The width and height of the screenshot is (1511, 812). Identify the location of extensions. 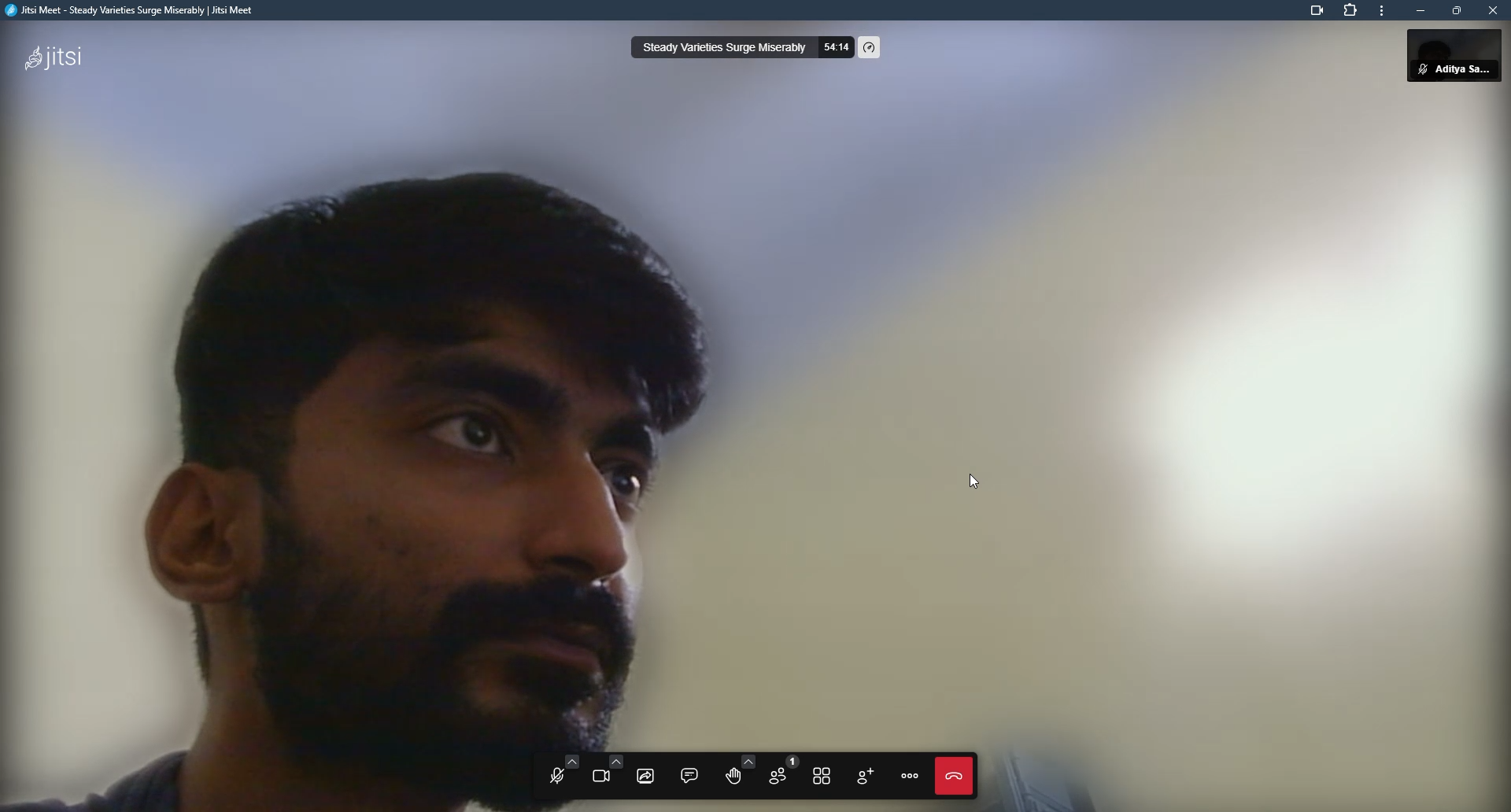
(1352, 12).